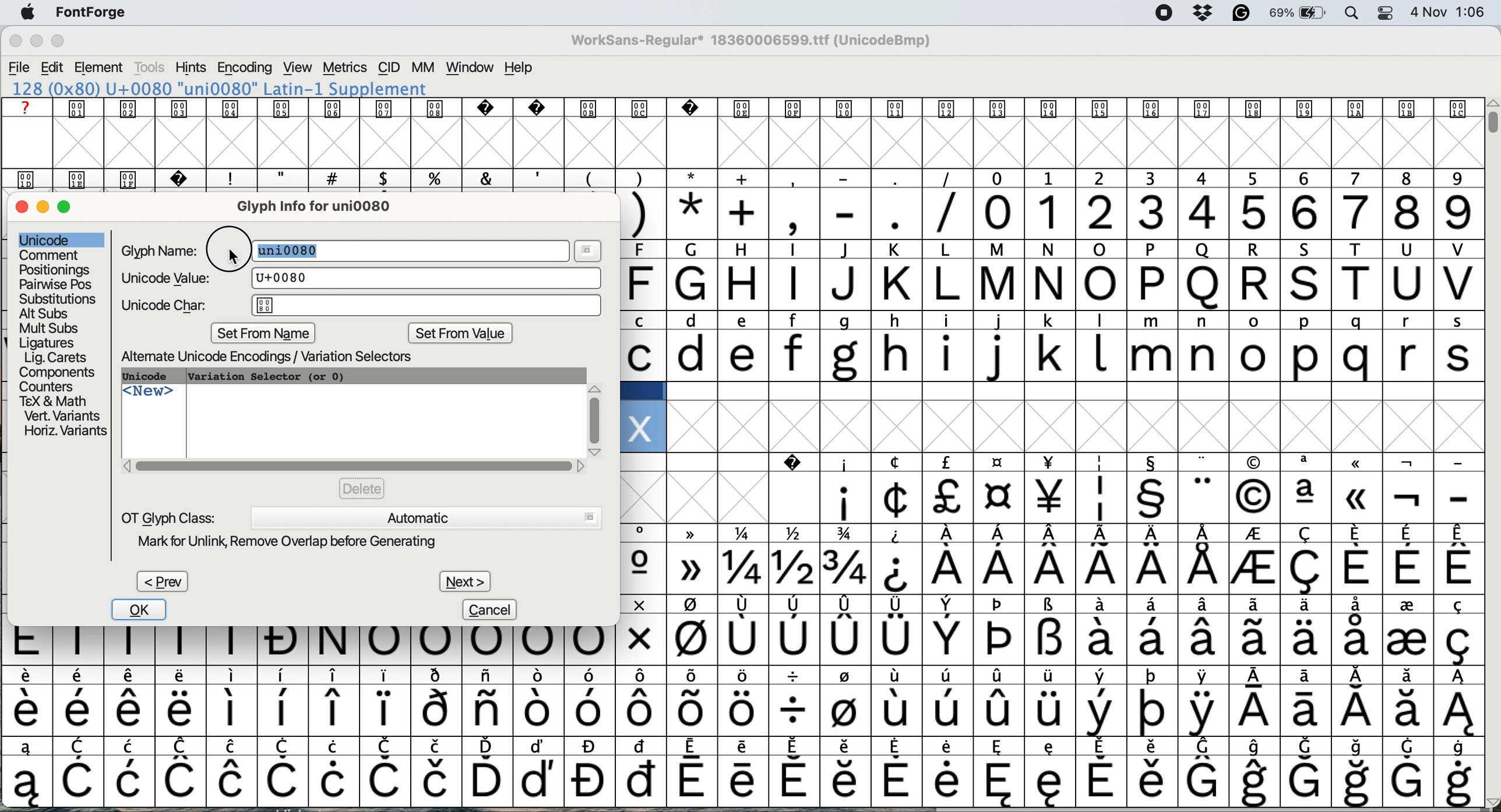 The image size is (1501, 812). What do you see at coordinates (1050, 535) in the screenshot?
I see `special characters` at bounding box center [1050, 535].